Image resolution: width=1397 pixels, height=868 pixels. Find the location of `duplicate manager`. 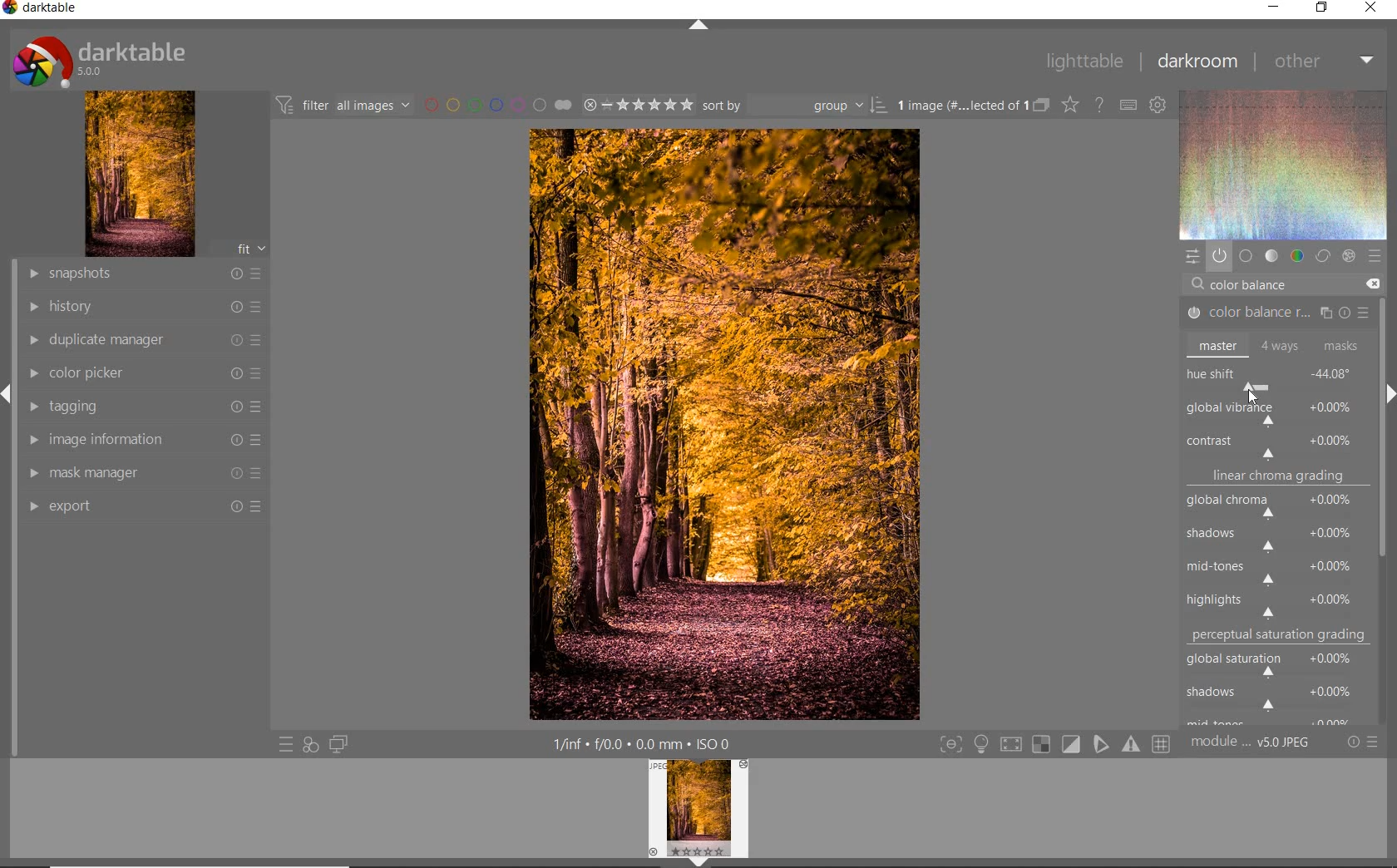

duplicate manager is located at coordinates (146, 340).